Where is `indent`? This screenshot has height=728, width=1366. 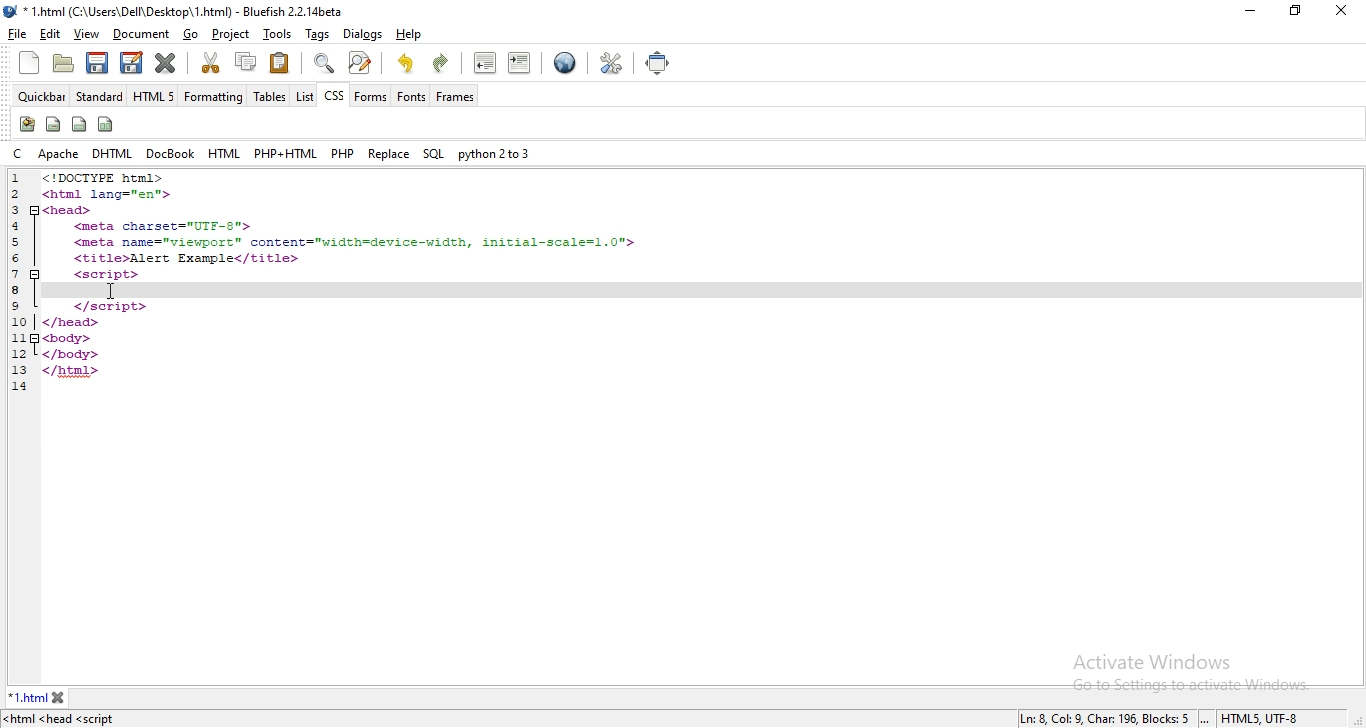
indent is located at coordinates (522, 61).